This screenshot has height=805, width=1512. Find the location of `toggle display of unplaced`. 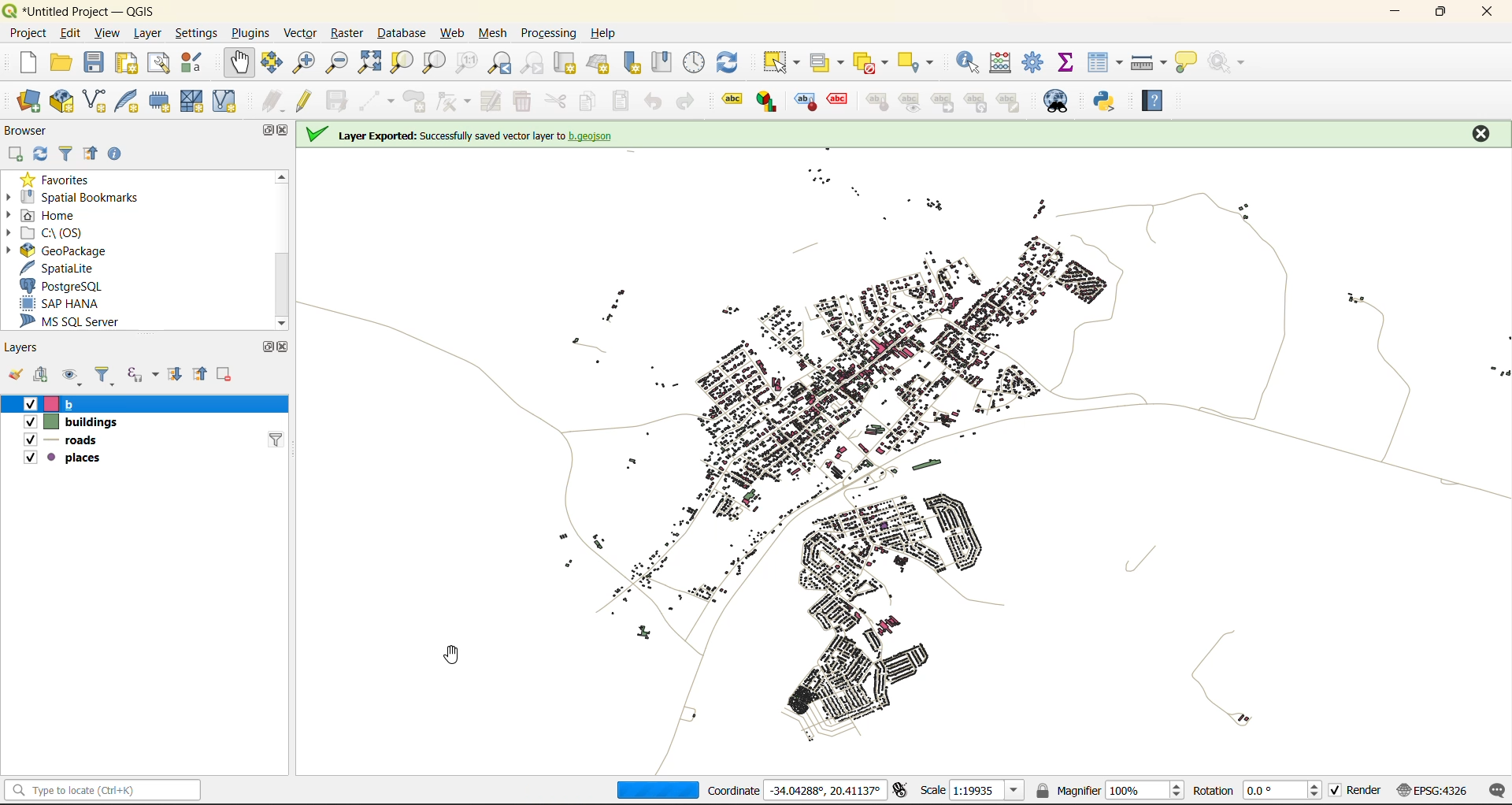

toggle display of unplaced is located at coordinates (839, 103).